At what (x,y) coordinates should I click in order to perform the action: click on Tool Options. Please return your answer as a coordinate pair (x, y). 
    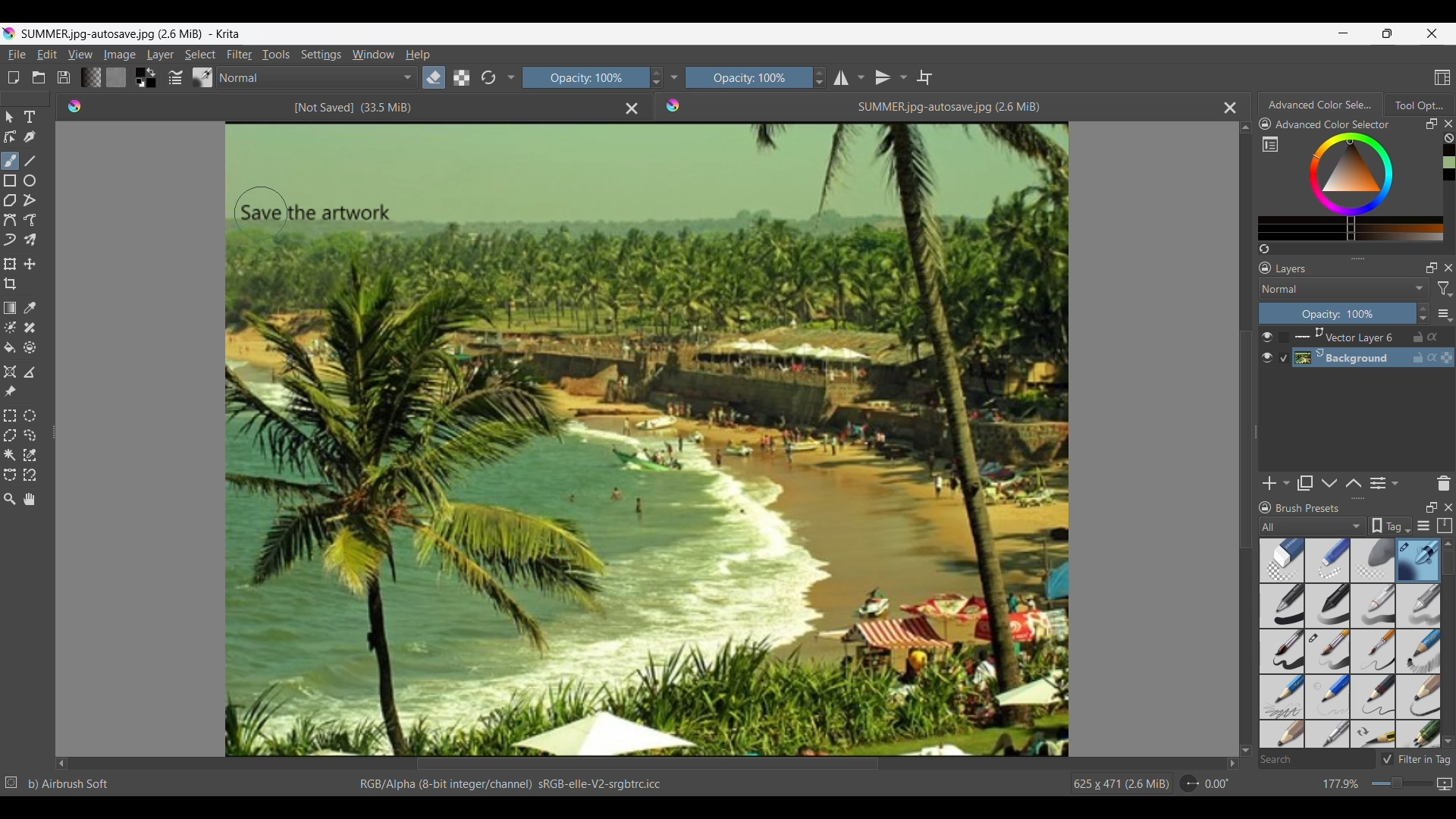
    Looking at the image, I should click on (1420, 105).